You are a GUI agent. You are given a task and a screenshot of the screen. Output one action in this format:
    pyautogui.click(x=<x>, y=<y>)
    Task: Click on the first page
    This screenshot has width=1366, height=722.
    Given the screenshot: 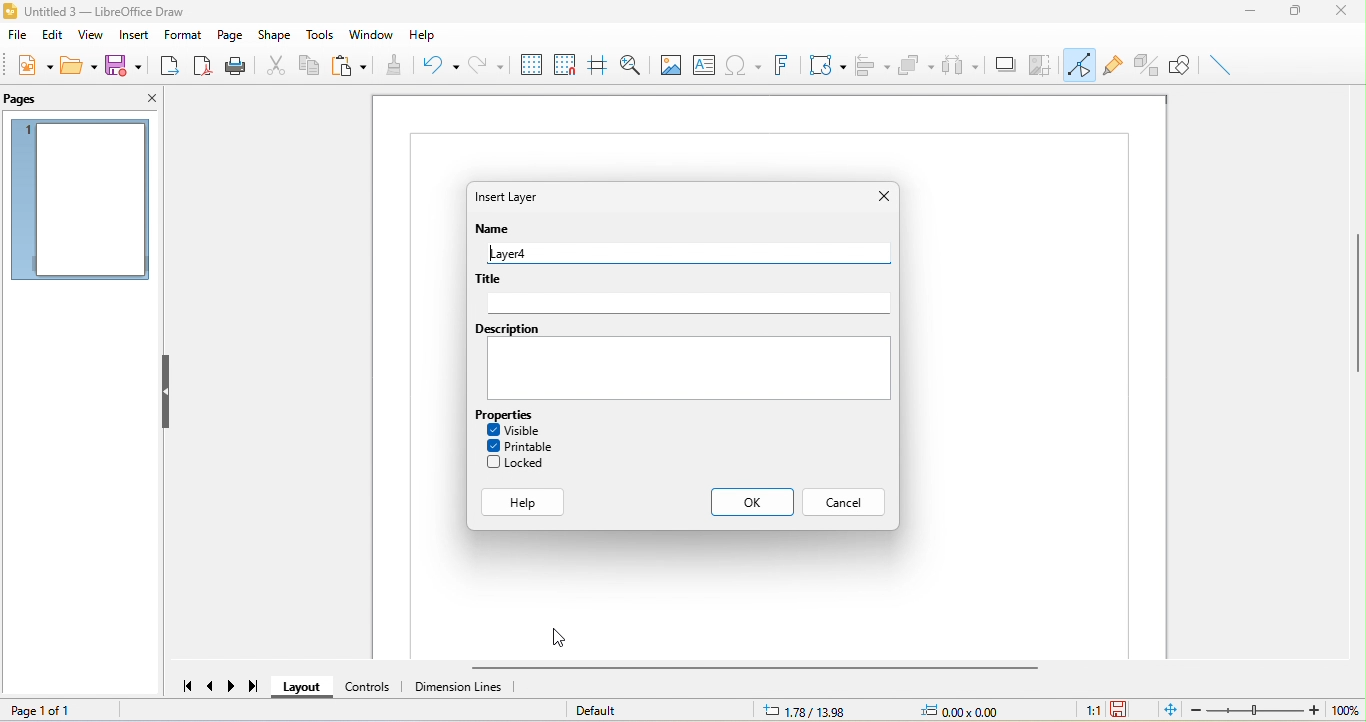 What is the action you would take?
    pyautogui.click(x=183, y=686)
    